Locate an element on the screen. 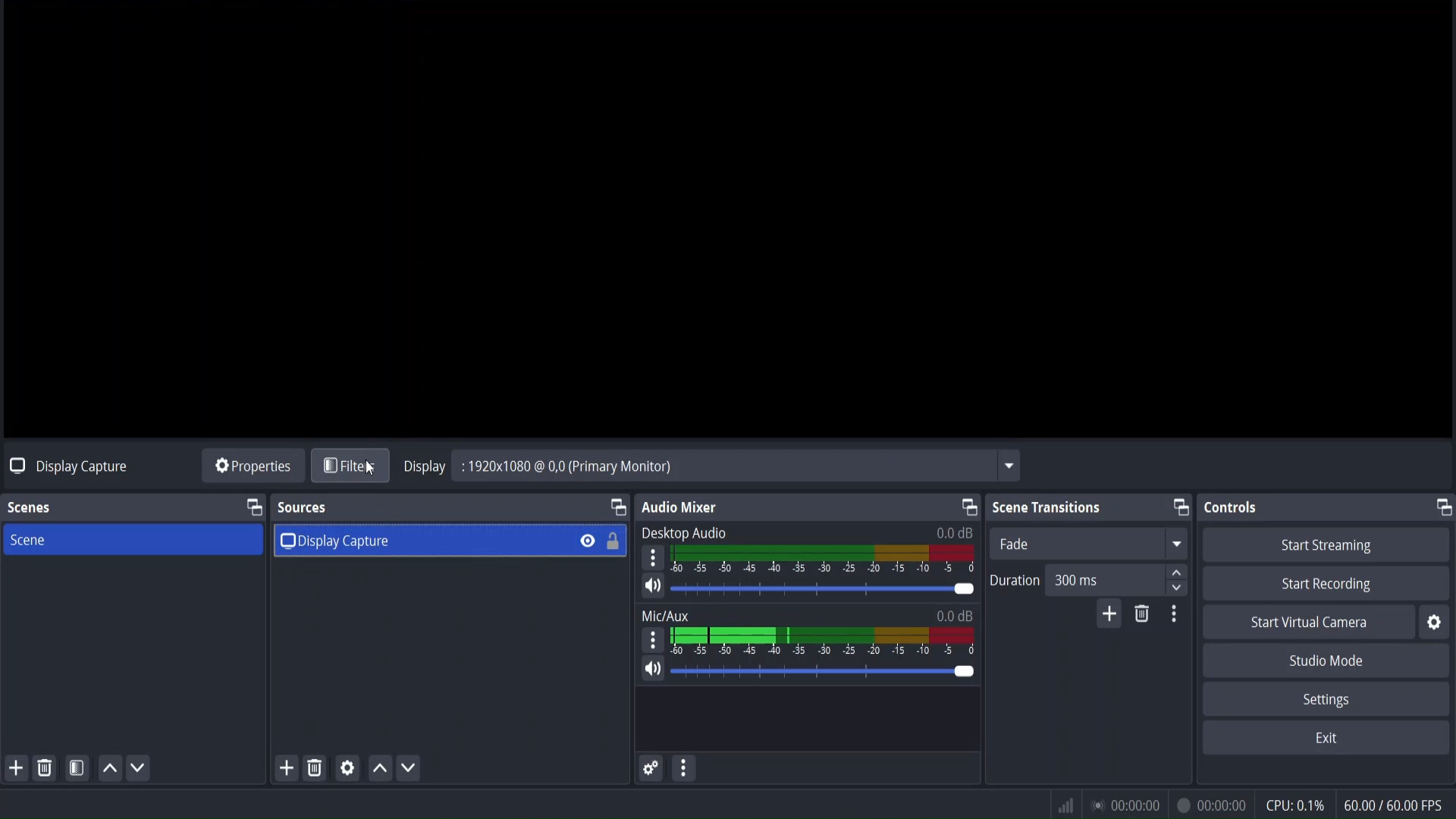 The height and width of the screenshot is (819, 1456). change tab layout is located at coordinates (1442, 507).